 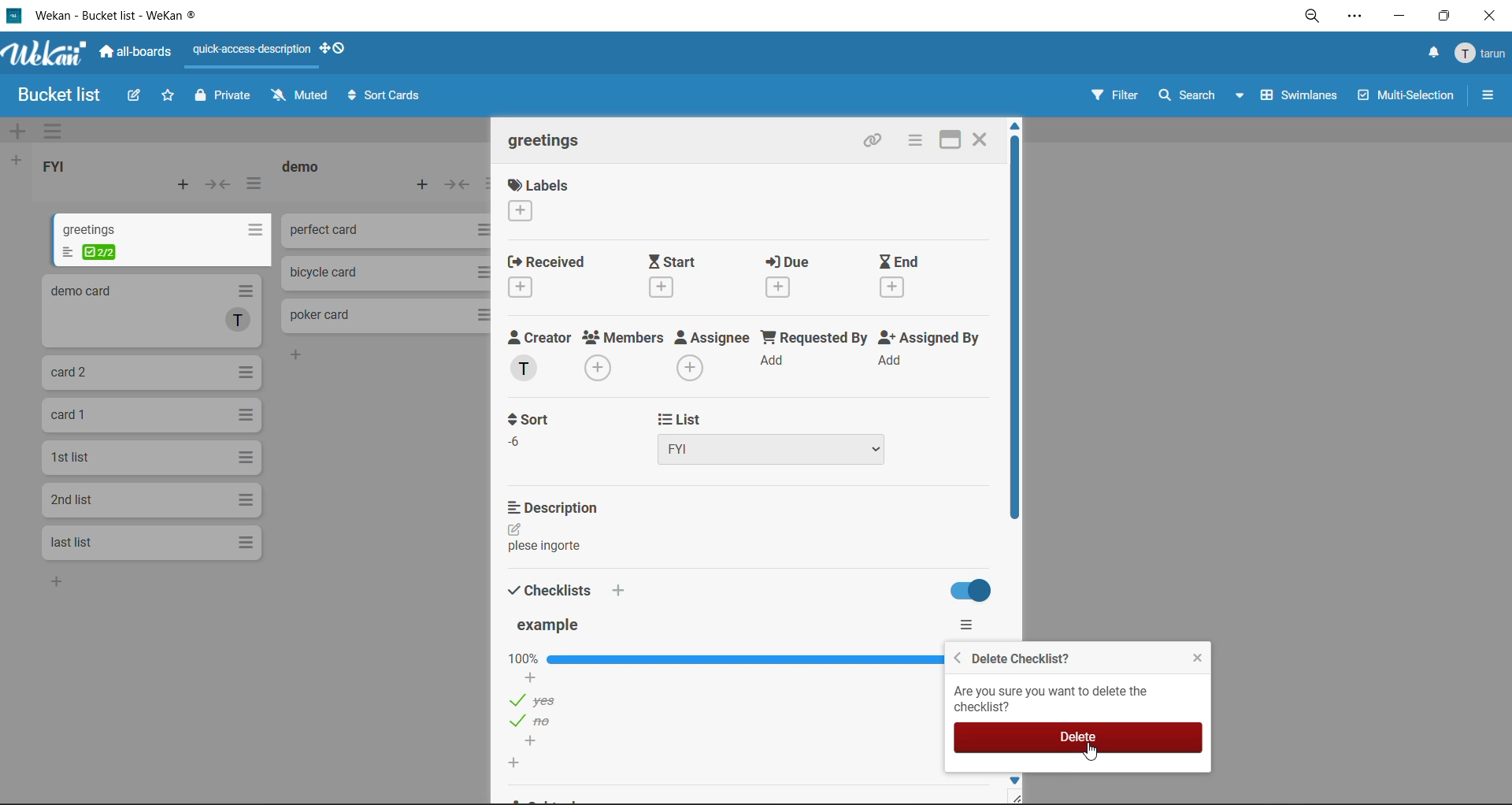 I want to click on maximize, so click(x=954, y=141).